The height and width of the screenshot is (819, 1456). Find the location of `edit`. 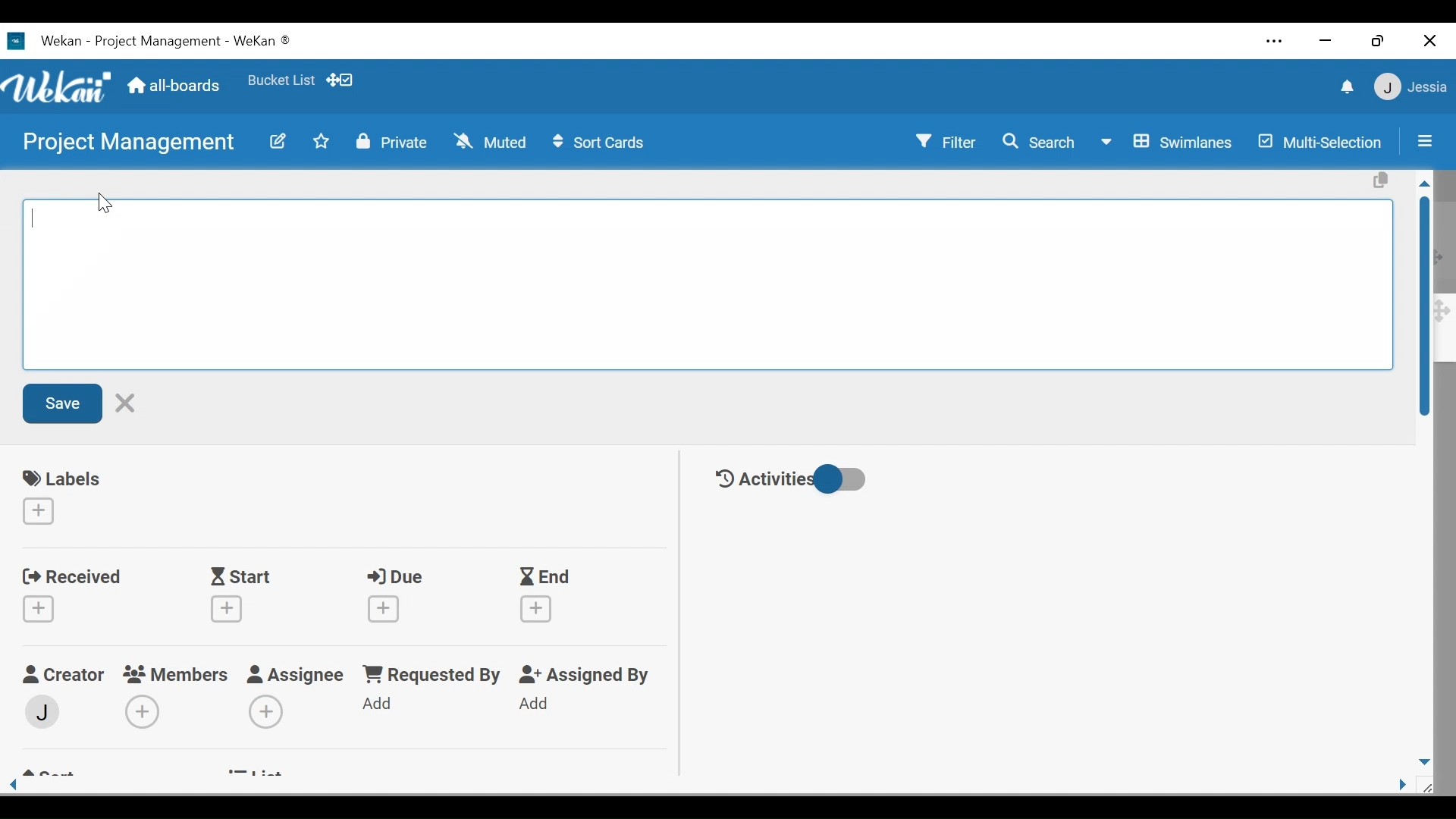

edit is located at coordinates (279, 142).